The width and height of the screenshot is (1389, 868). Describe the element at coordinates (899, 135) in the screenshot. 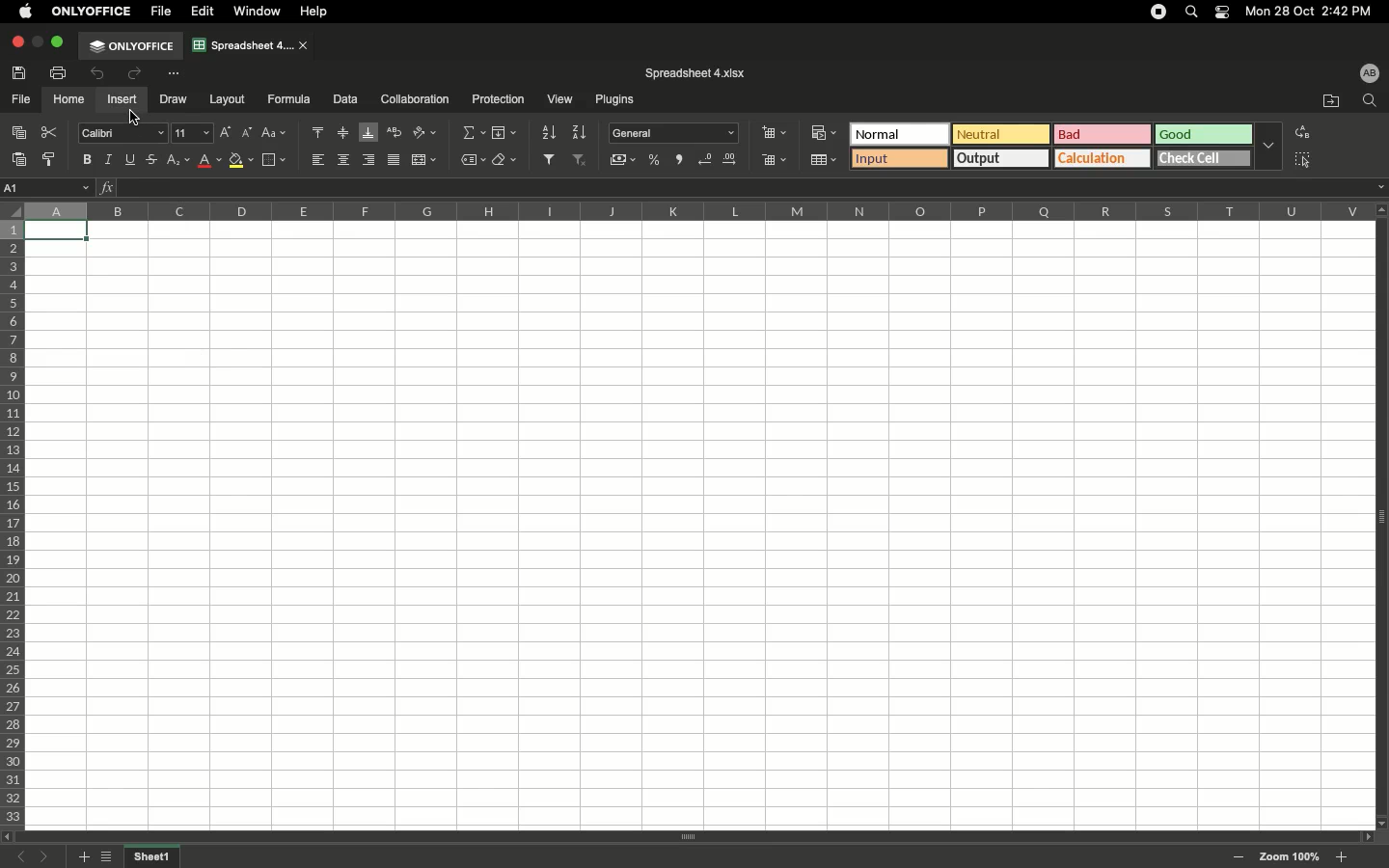

I see `Normal` at that location.